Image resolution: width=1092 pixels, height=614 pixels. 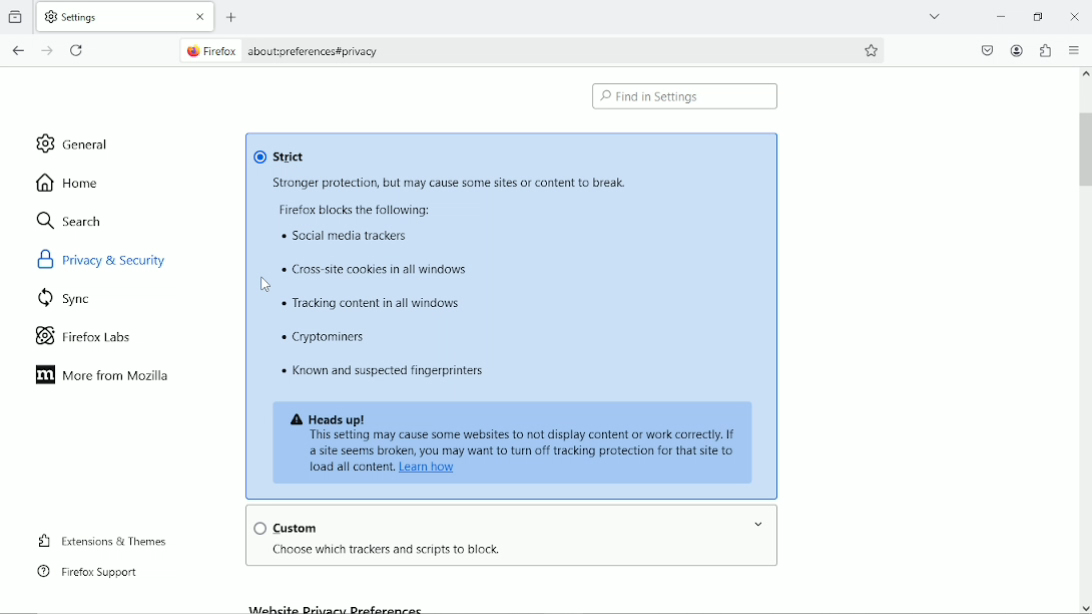 What do you see at coordinates (79, 49) in the screenshot?
I see `reload current page` at bounding box center [79, 49].